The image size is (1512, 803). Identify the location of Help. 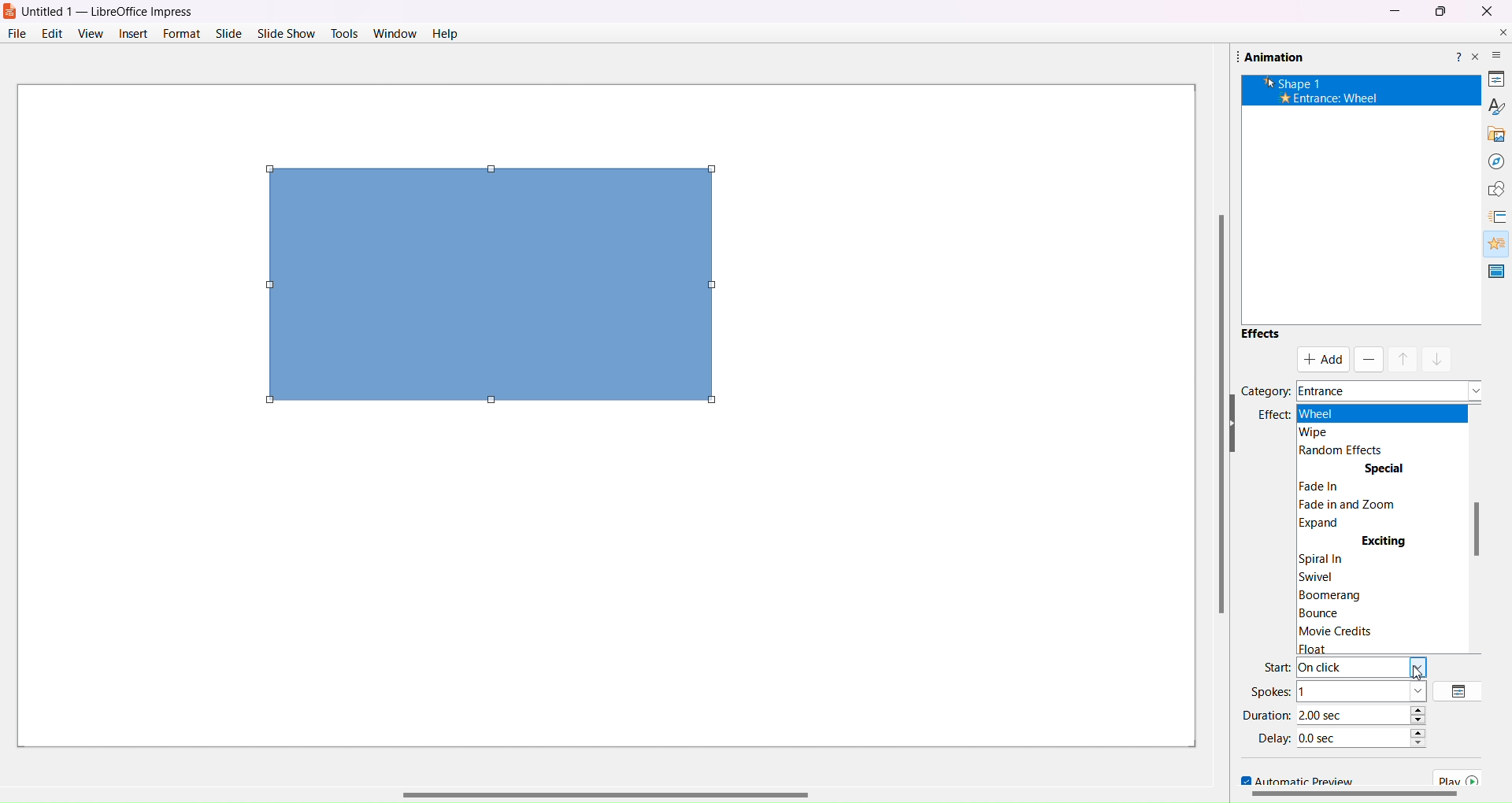
(444, 35).